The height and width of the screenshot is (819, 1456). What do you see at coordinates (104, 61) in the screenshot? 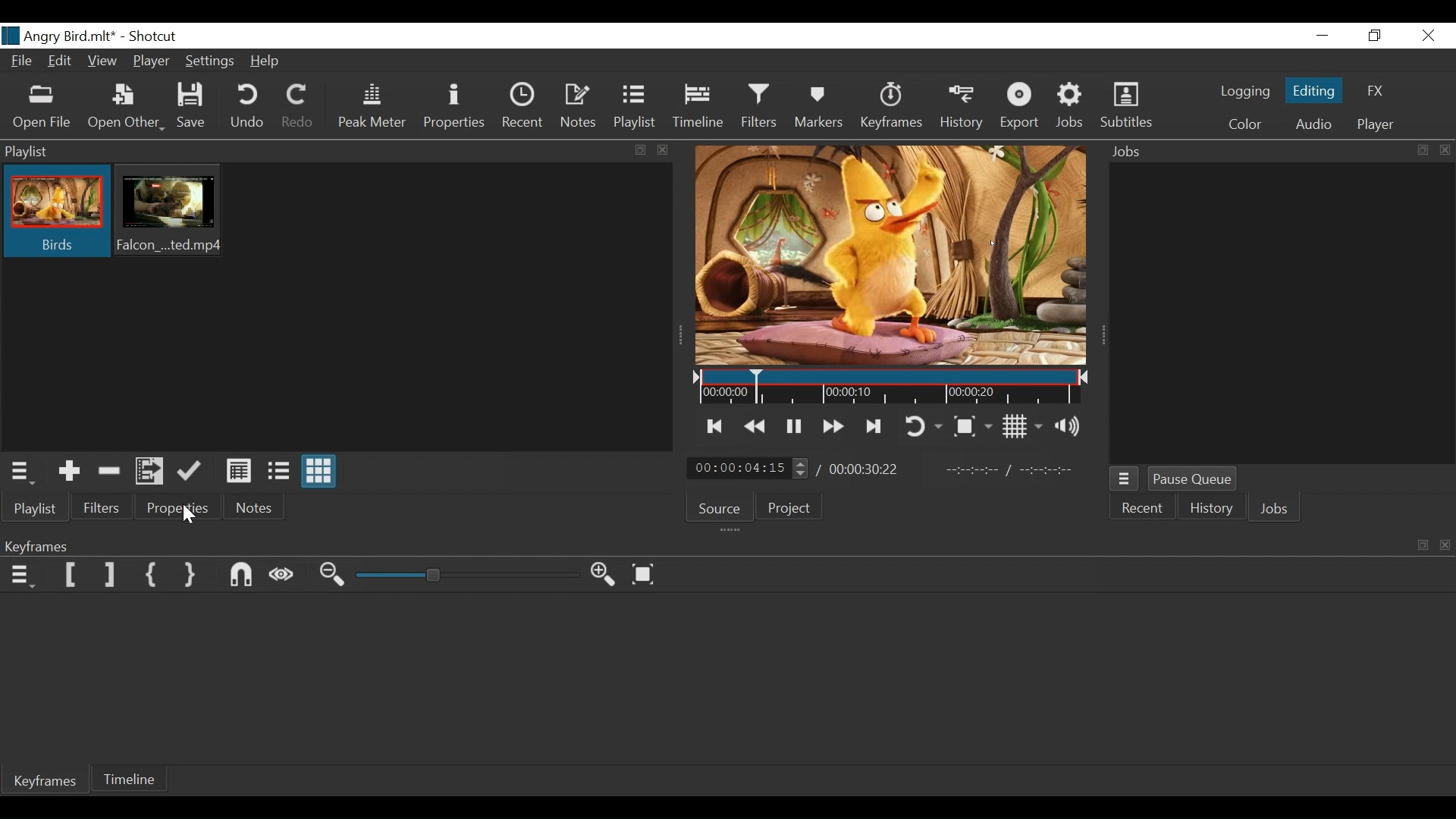
I see `View` at bounding box center [104, 61].